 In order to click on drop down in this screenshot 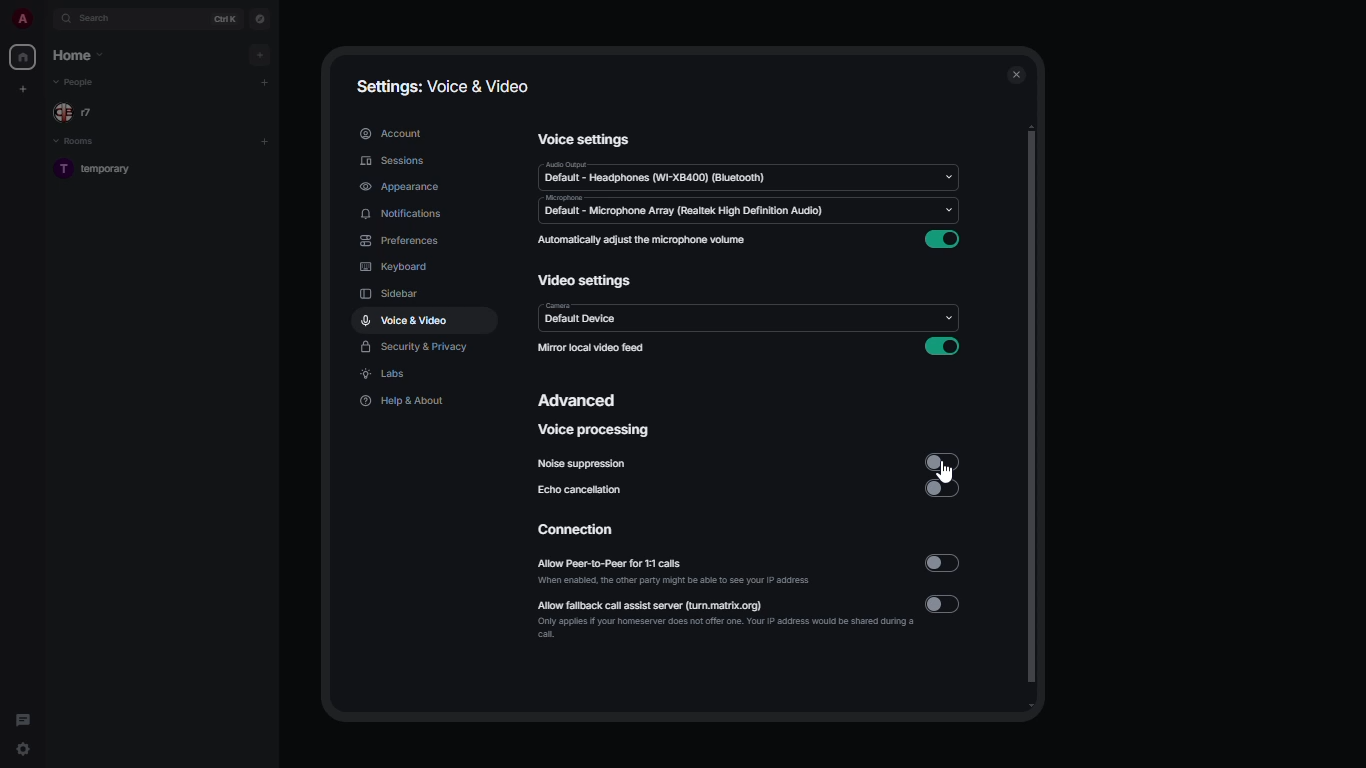, I will do `click(953, 216)`.